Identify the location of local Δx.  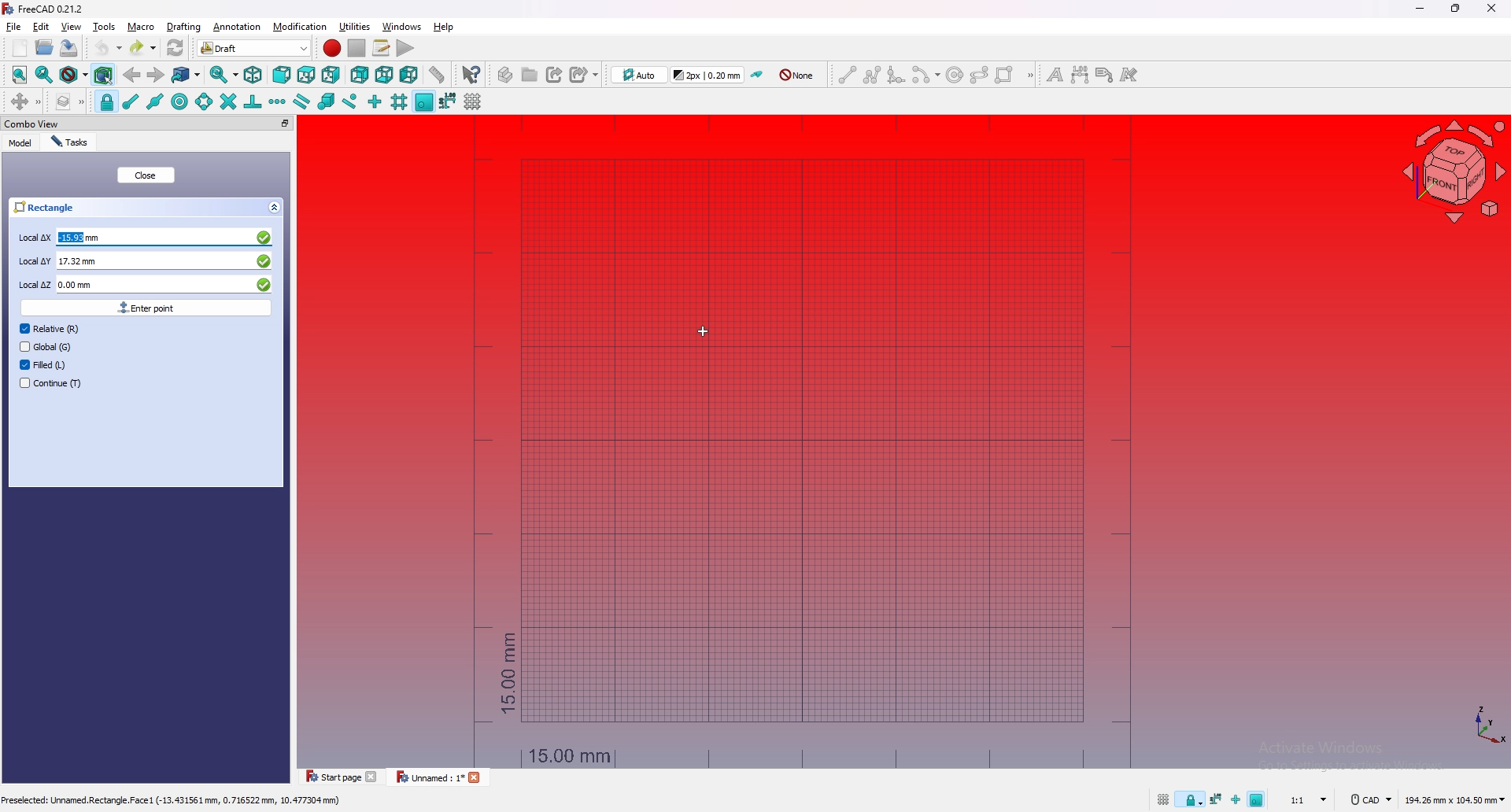
(34, 238).